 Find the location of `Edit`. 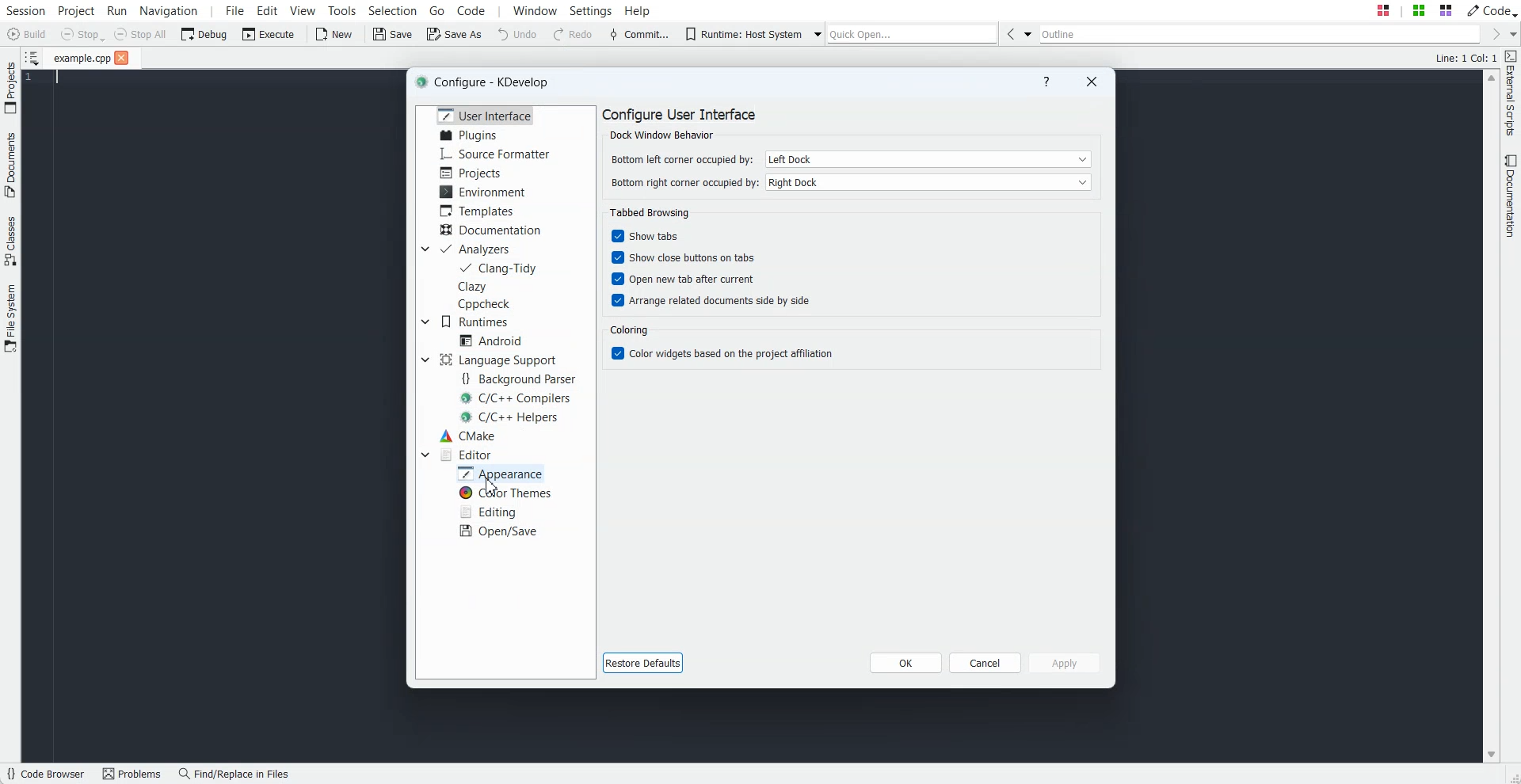

Edit is located at coordinates (267, 10).